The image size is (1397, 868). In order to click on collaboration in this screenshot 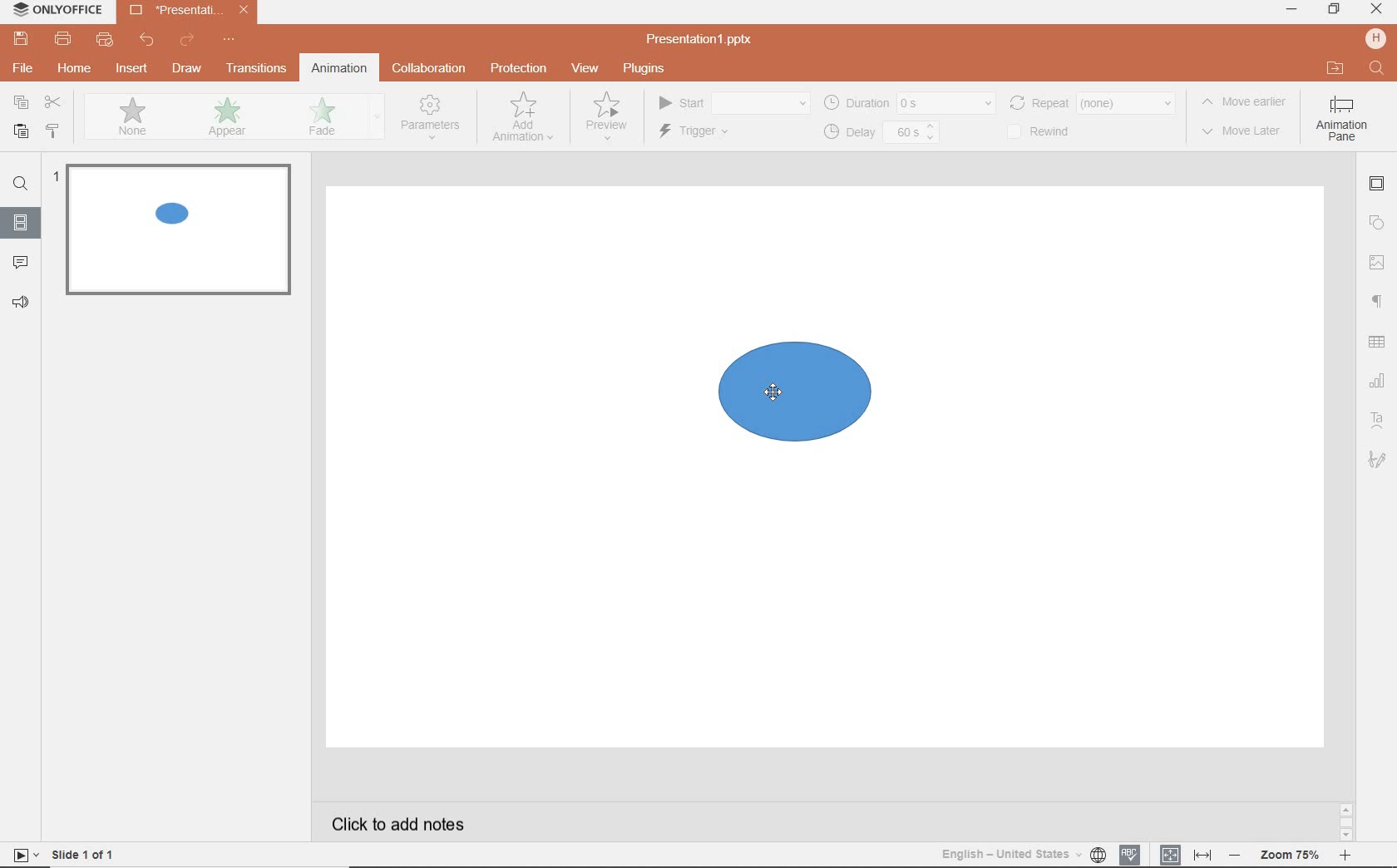, I will do `click(431, 69)`.